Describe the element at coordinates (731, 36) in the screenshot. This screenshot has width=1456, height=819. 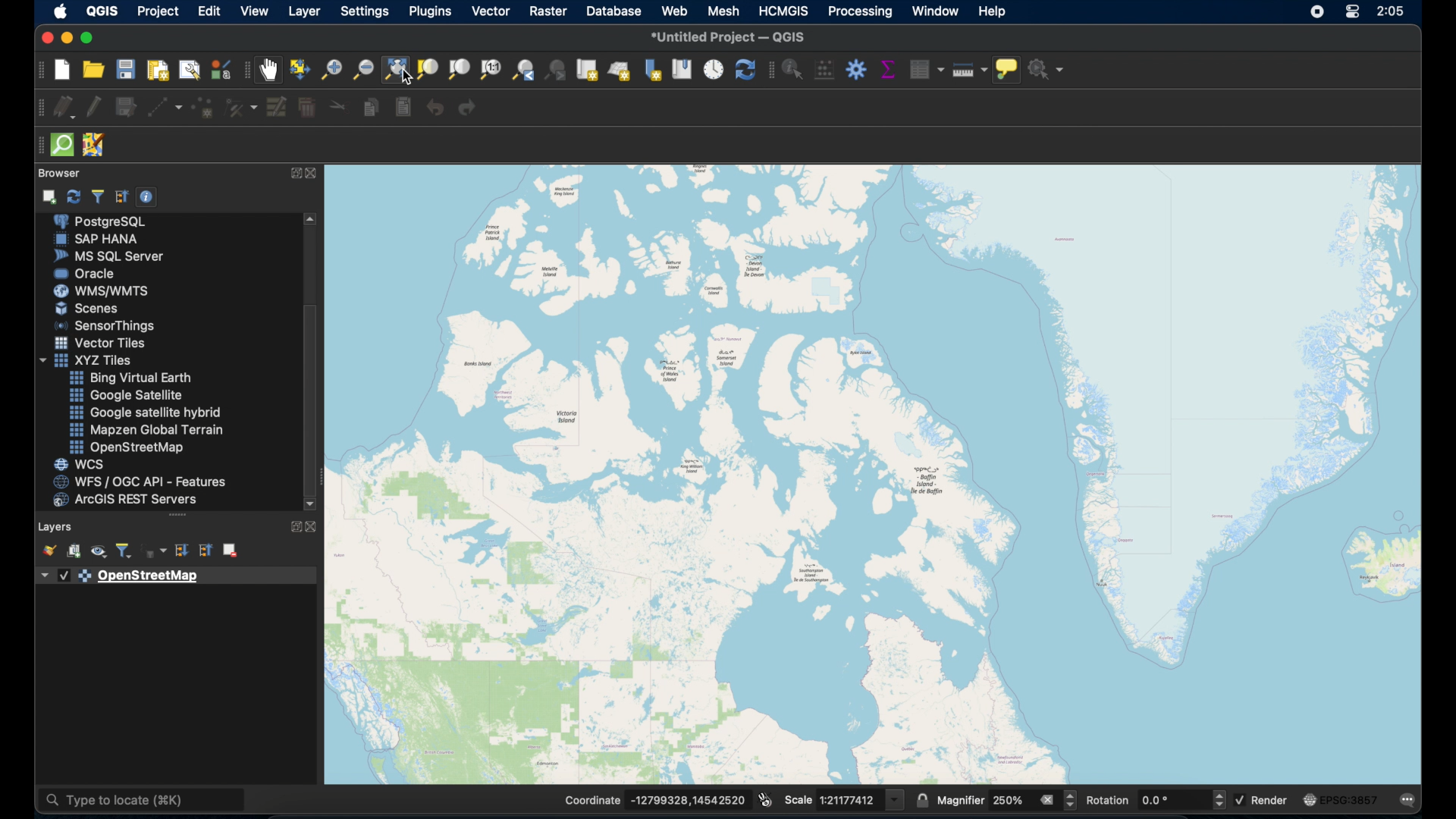
I see `untitled project - QGIS` at that location.